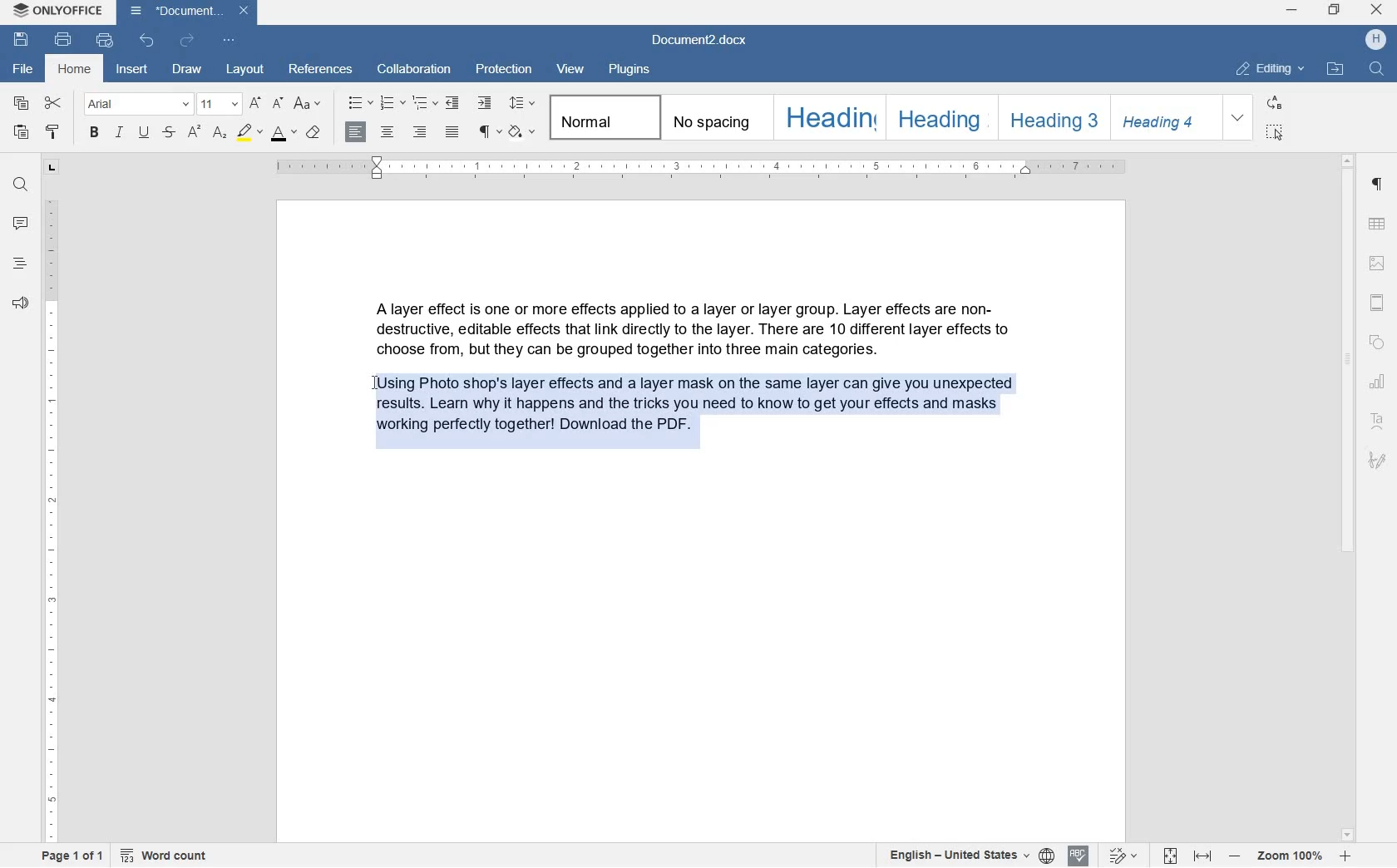 The image size is (1397, 868). What do you see at coordinates (245, 67) in the screenshot?
I see `LAYOUT` at bounding box center [245, 67].